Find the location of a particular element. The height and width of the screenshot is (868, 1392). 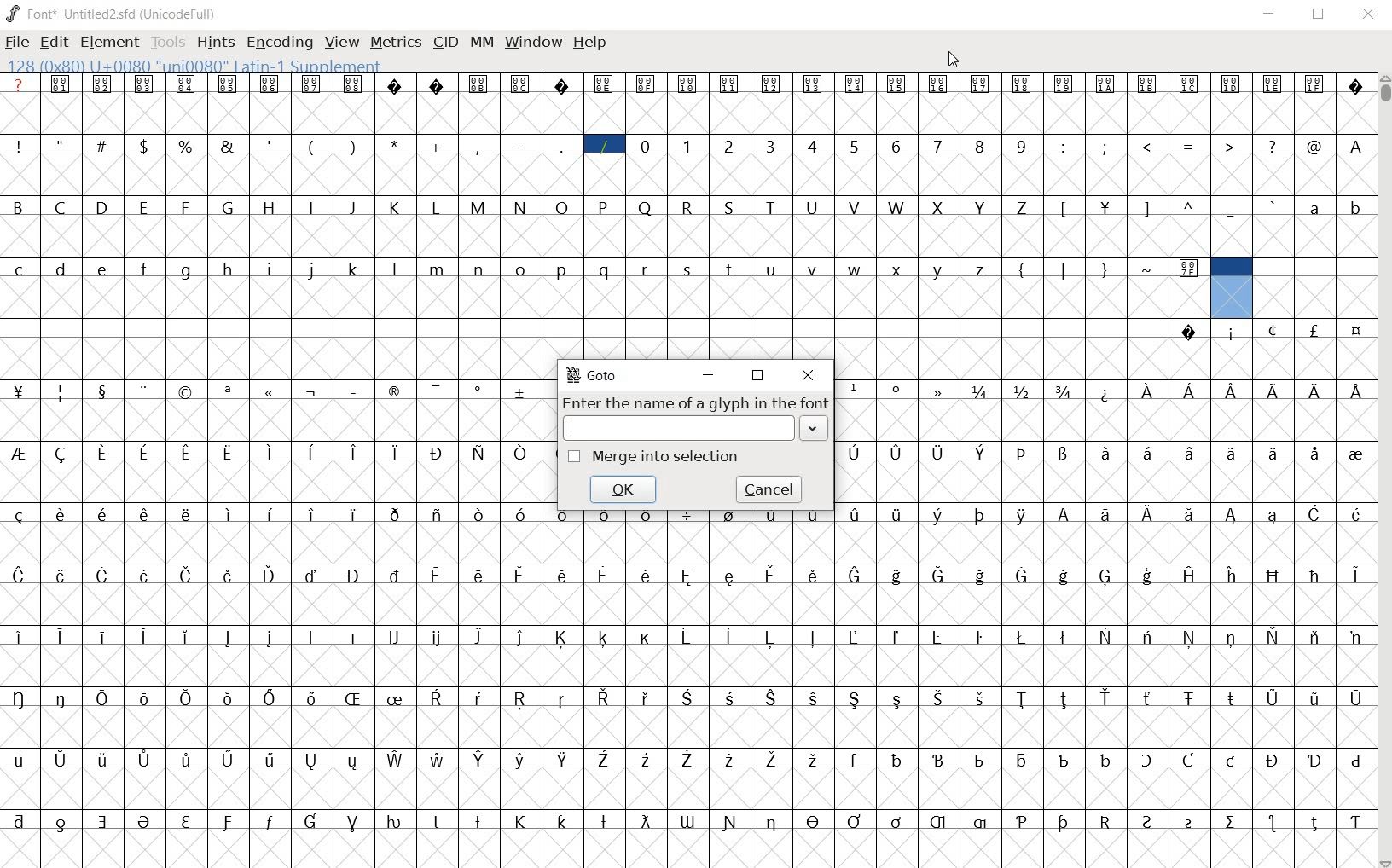

Symbol is located at coordinates (899, 576).